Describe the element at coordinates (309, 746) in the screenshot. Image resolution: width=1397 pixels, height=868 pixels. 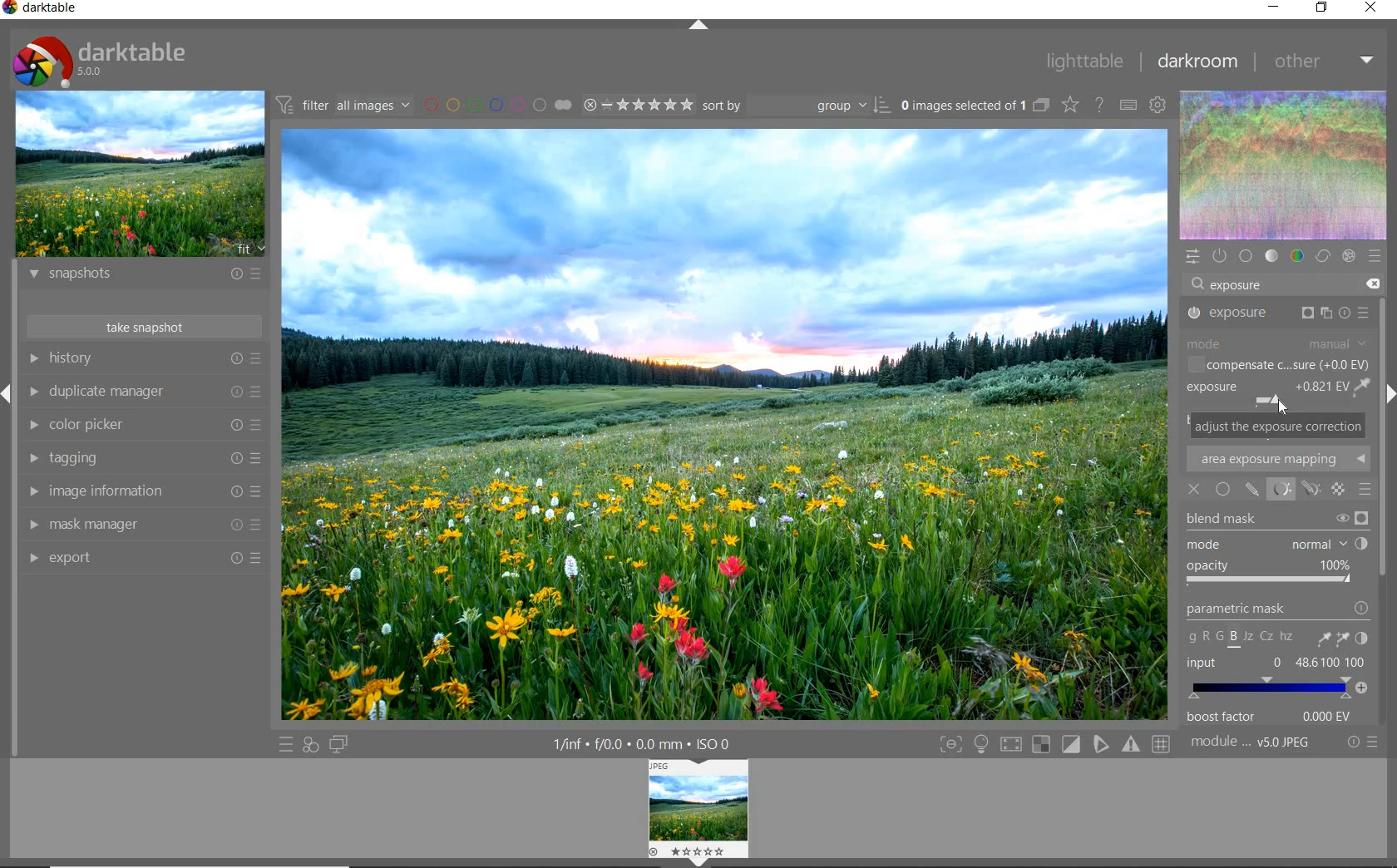
I see `quick access for applying any of your styles` at that location.